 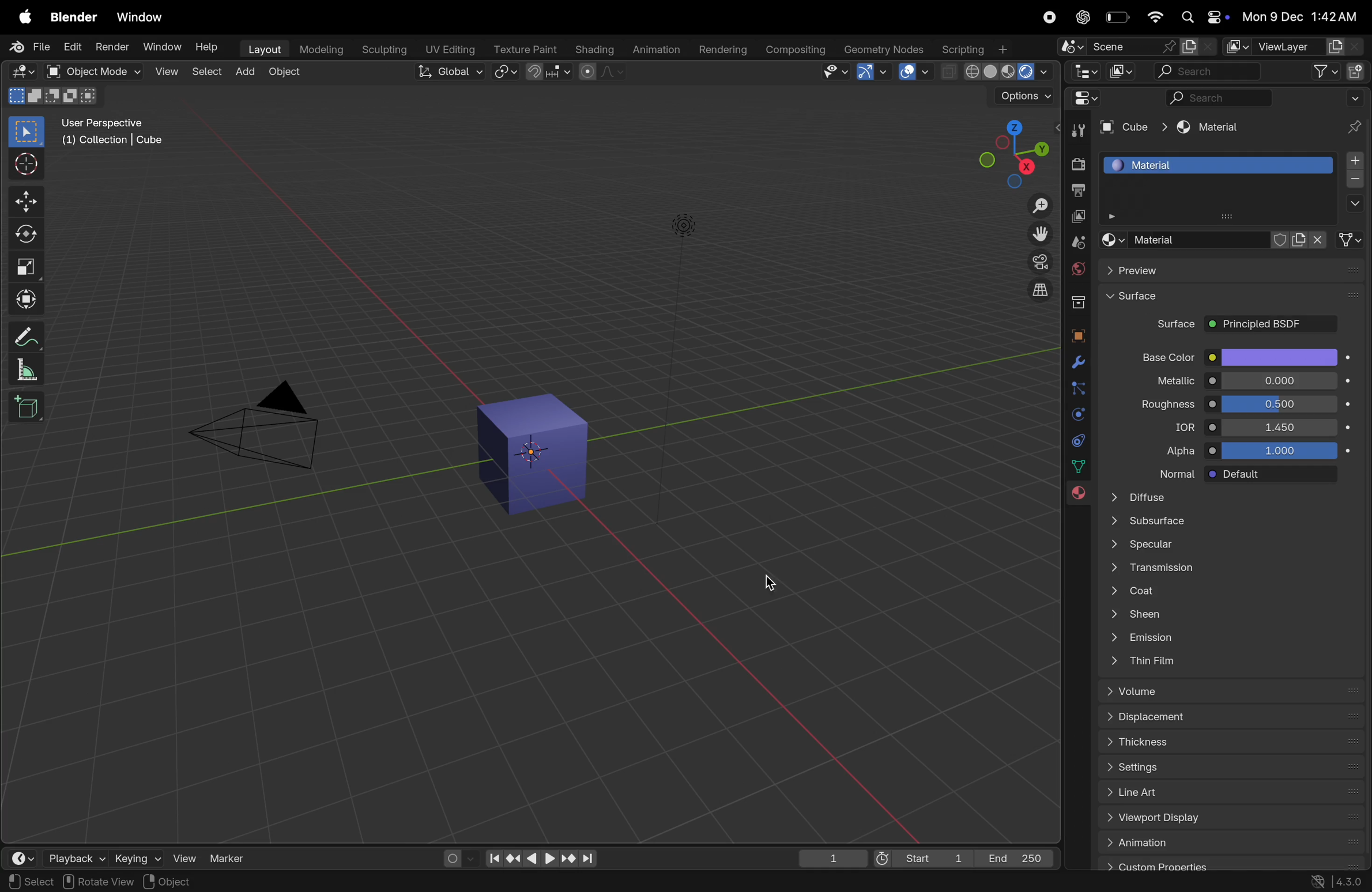 What do you see at coordinates (833, 859) in the screenshot?
I see `1` at bounding box center [833, 859].